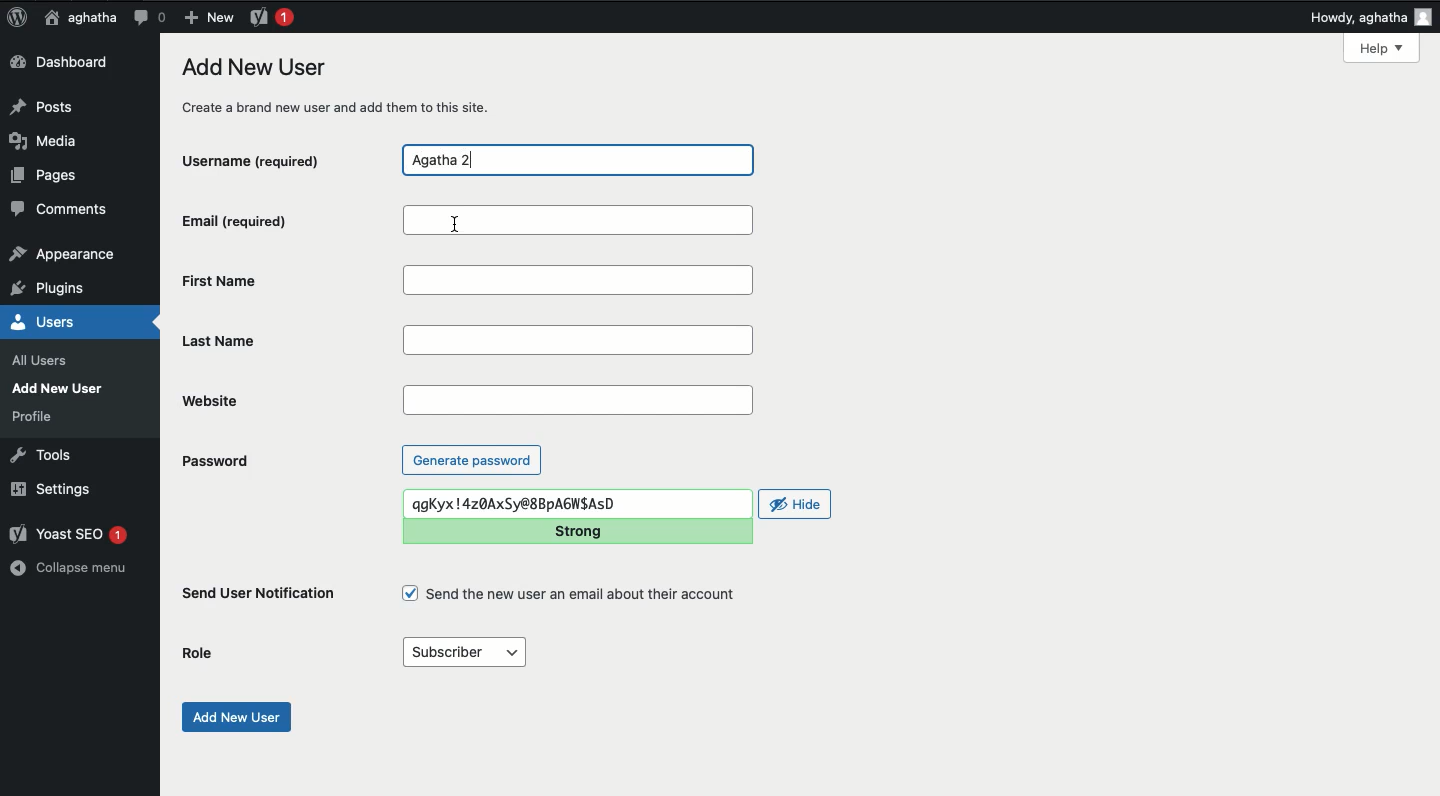 Image resolution: width=1440 pixels, height=796 pixels. What do you see at coordinates (58, 289) in the screenshot?
I see `plugins` at bounding box center [58, 289].